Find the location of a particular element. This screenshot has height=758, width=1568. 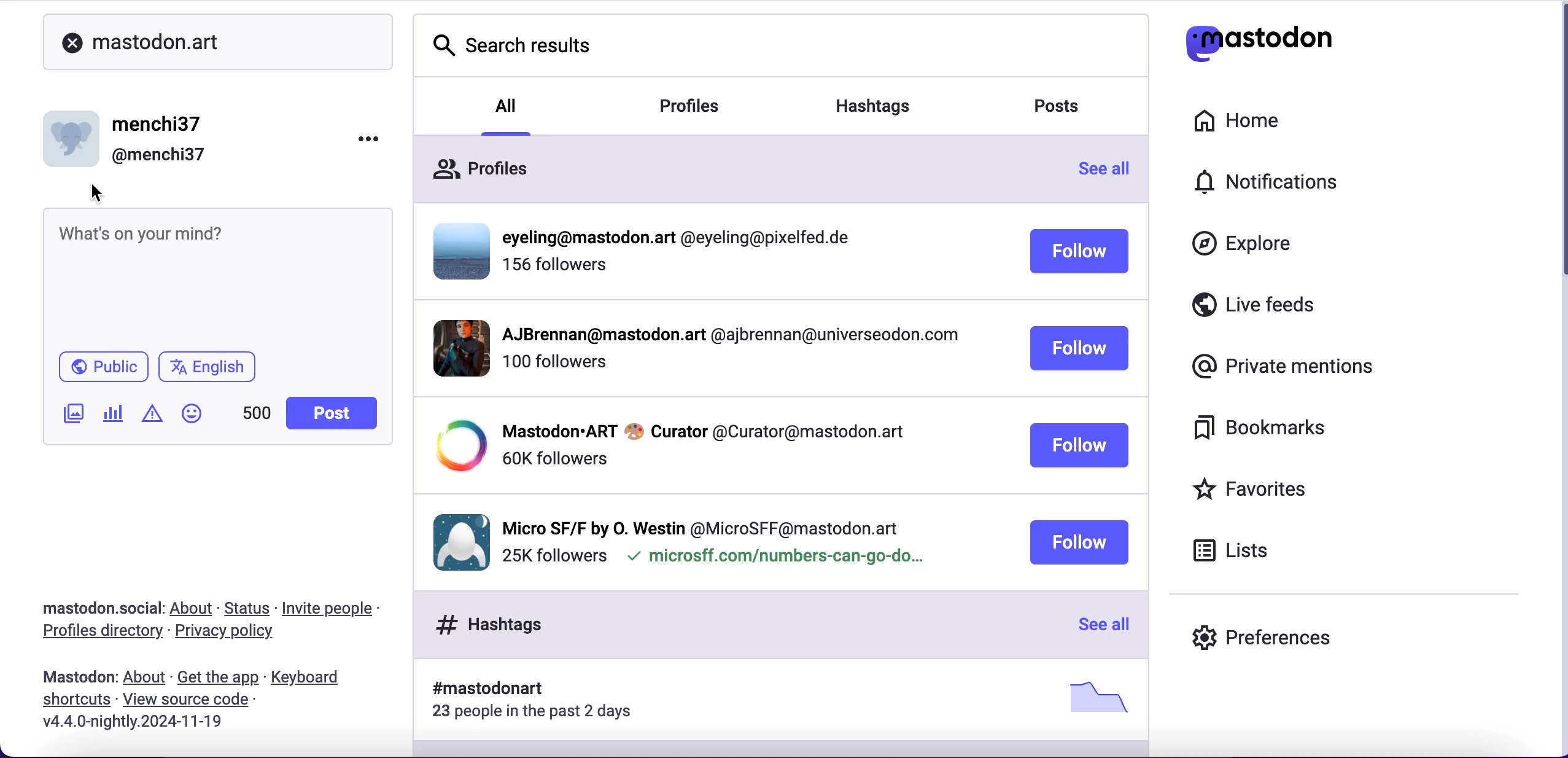

profiles see all is located at coordinates (781, 171).